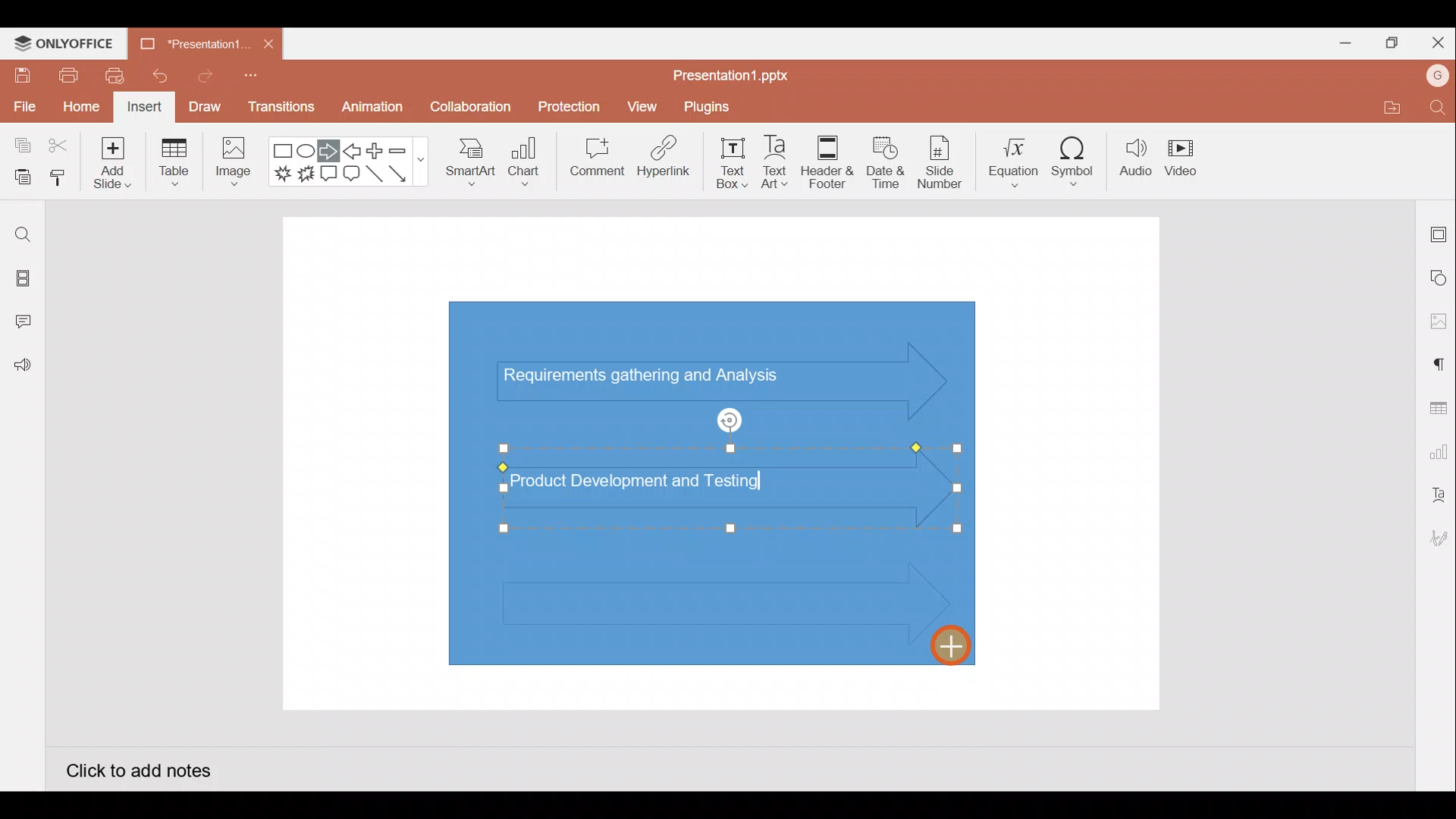 This screenshot has width=1456, height=819. I want to click on Slides, so click(21, 281).